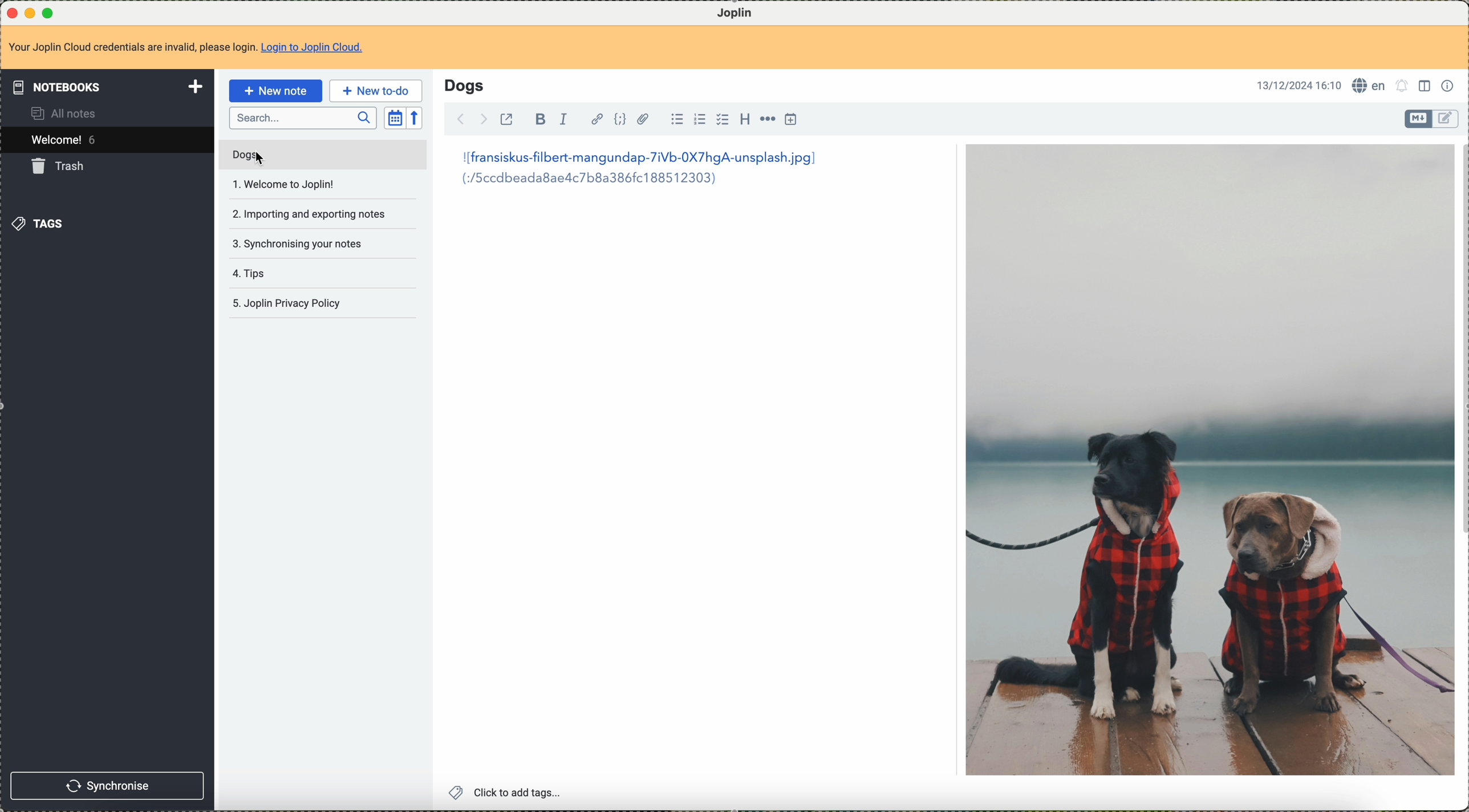 This screenshot has width=1469, height=812. What do you see at coordinates (563, 120) in the screenshot?
I see `italic` at bounding box center [563, 120].